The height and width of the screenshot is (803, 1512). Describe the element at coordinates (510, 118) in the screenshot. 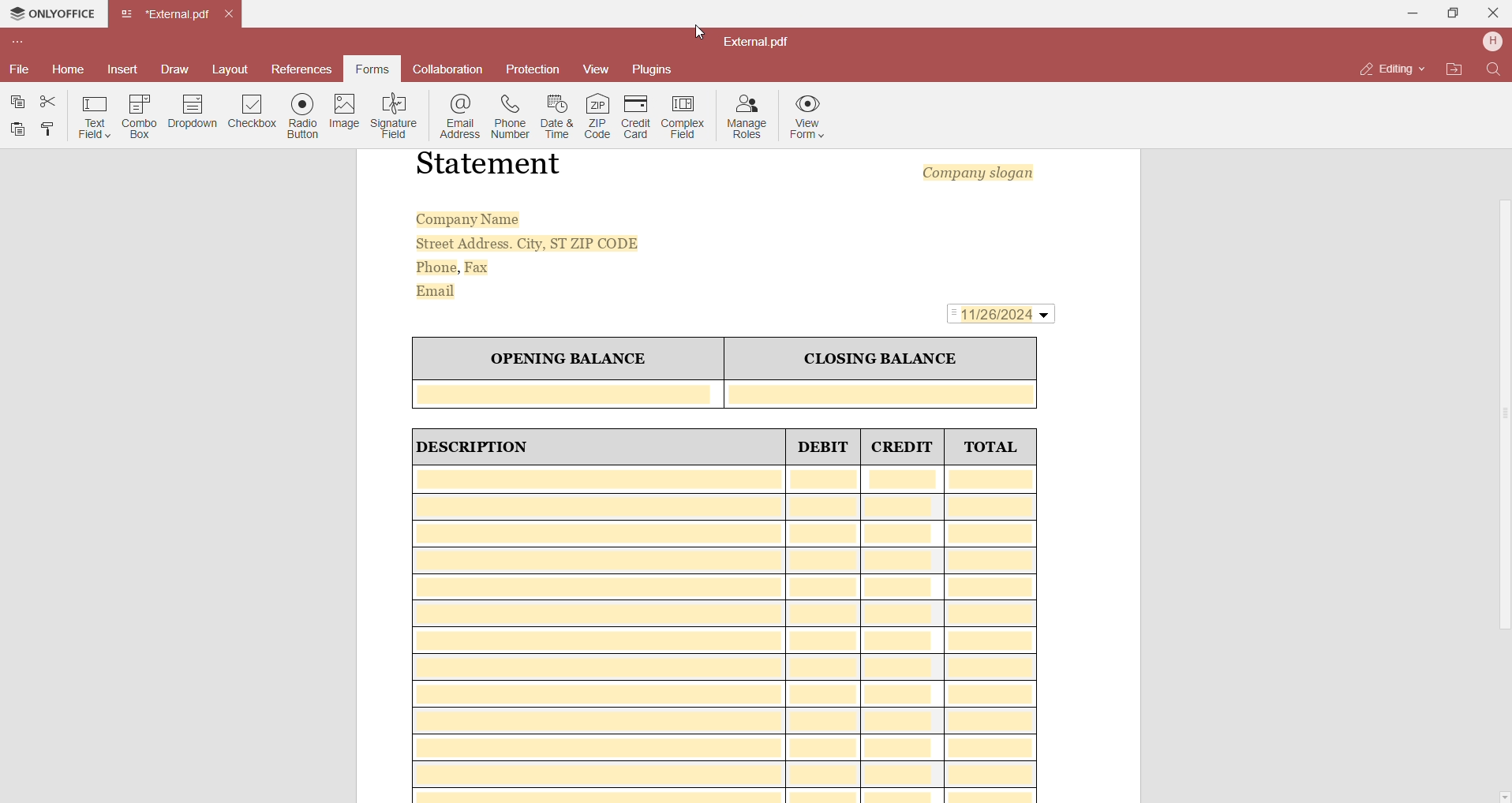

I see `Phone Number` at that location.